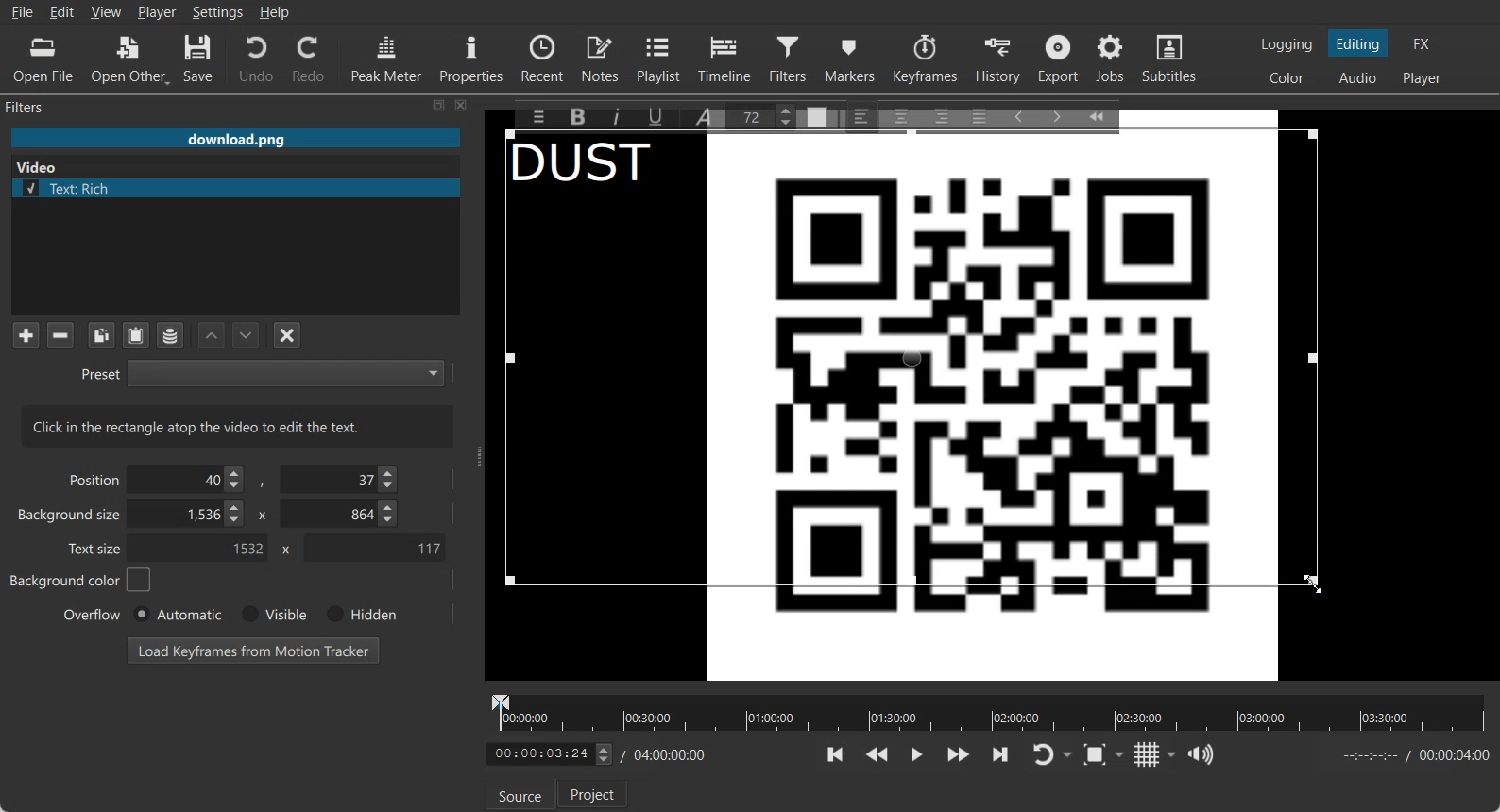  I want to click on , so click(1316, 585).